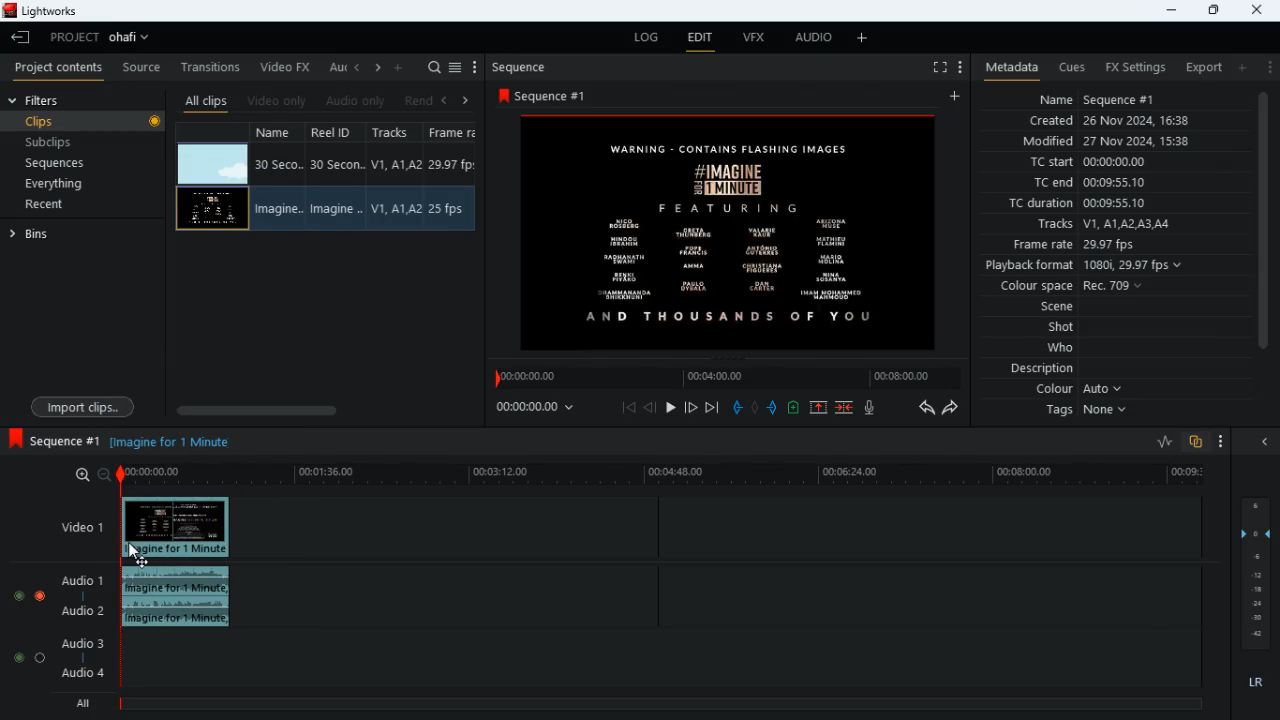 Image resolution: width=1280 pixels, height=720 pixels. I want to click on timeline tracks, so click(721, 526).